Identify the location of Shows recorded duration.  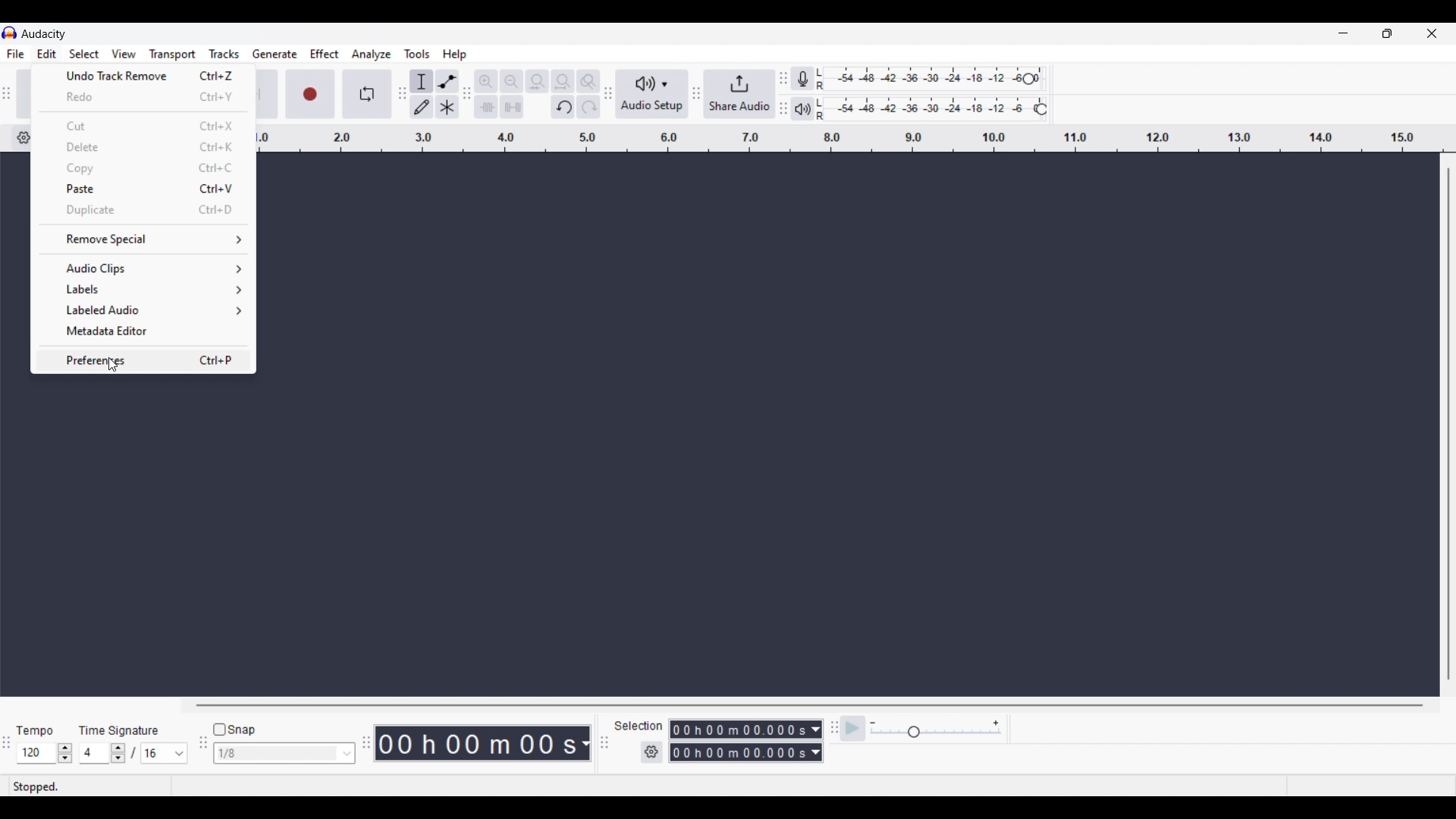
(476, 743).